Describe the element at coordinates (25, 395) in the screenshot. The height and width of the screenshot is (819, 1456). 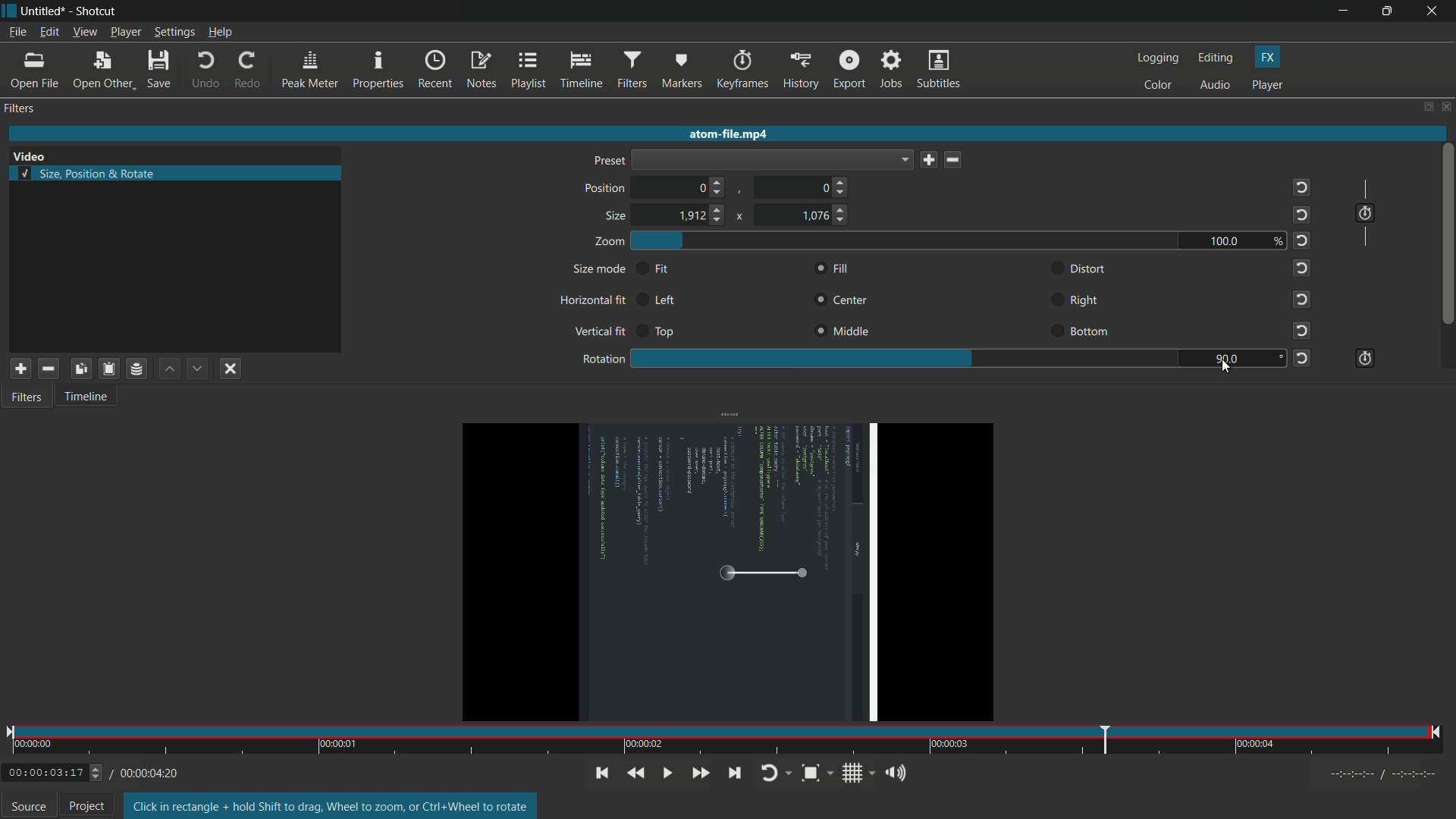
I see `filters` at that location.